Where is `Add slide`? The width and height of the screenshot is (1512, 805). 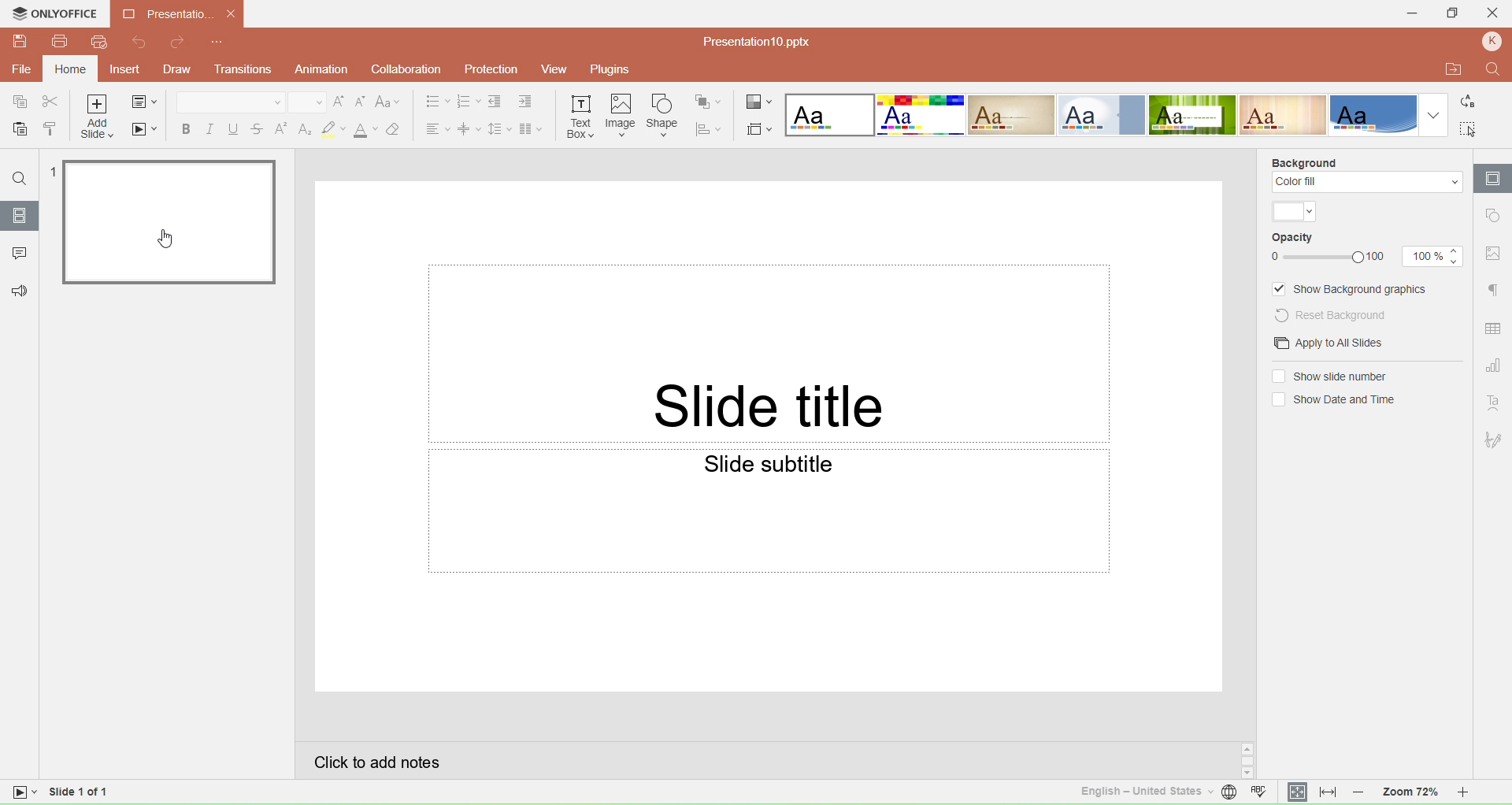 Add slide is located at coordinates (98, 118).